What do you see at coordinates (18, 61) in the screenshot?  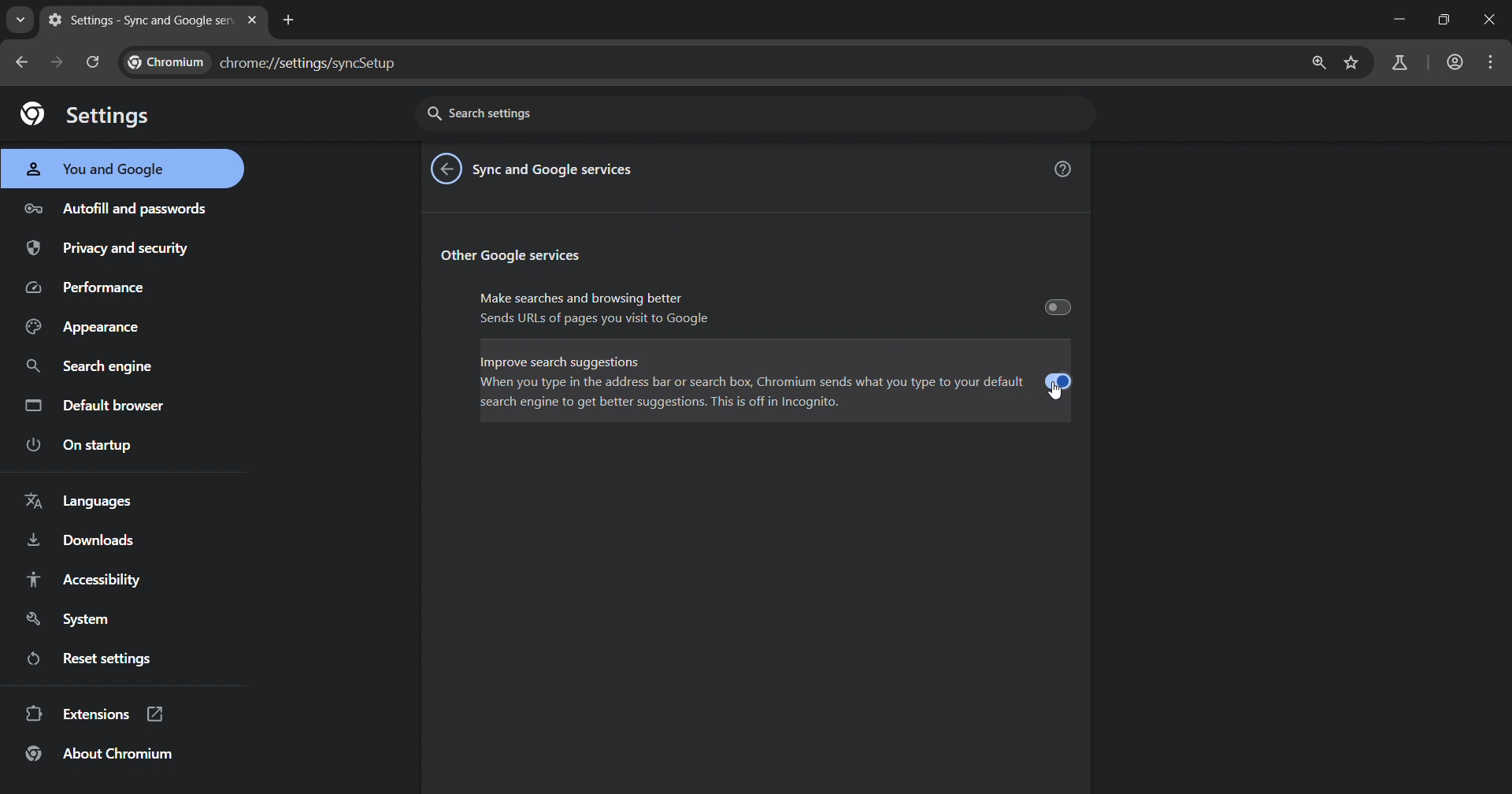 I see `go back one page` at bounding box center [18, 61].